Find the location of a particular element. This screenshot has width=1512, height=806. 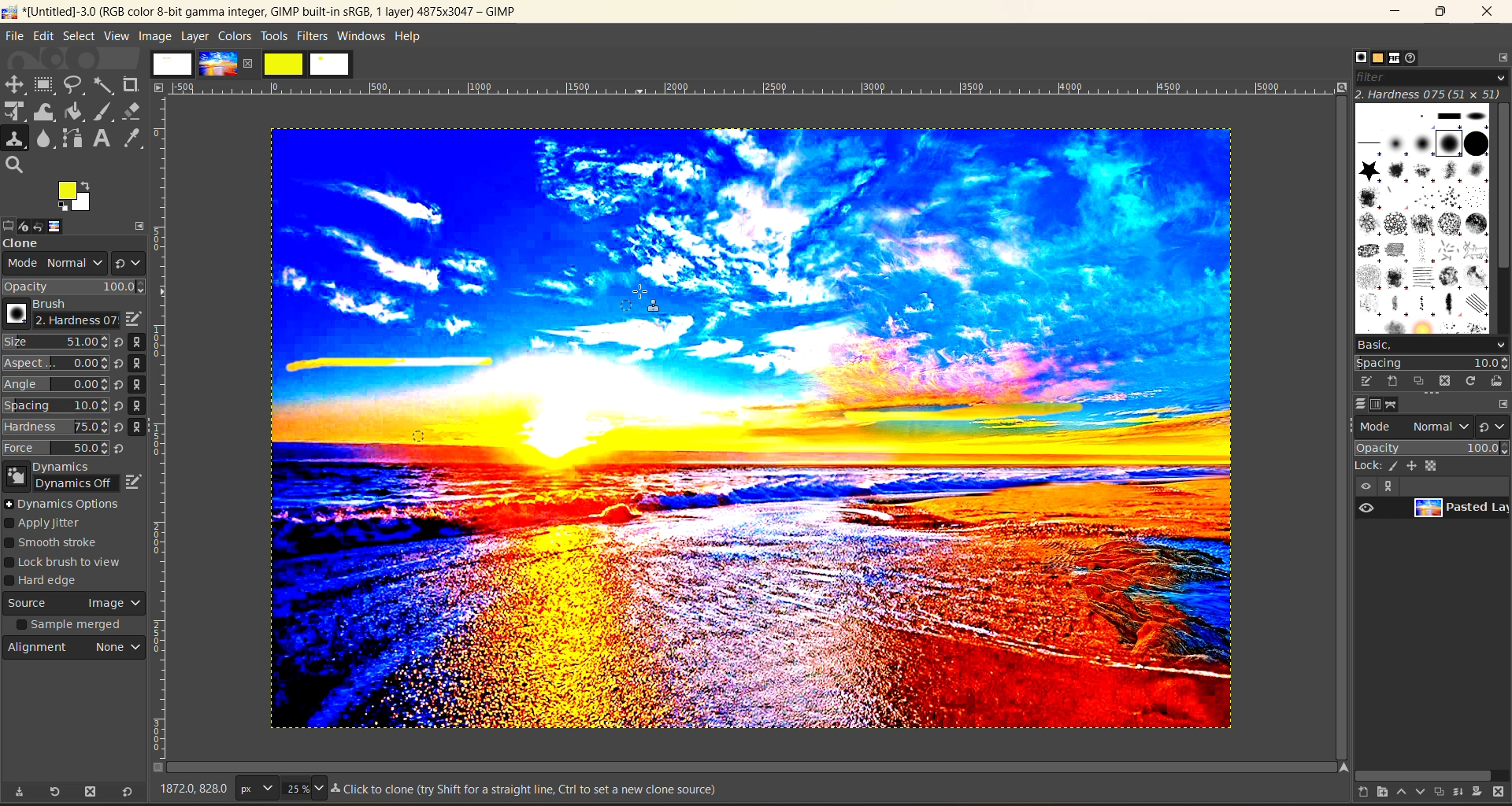

view is located at coordinates (117, 36).